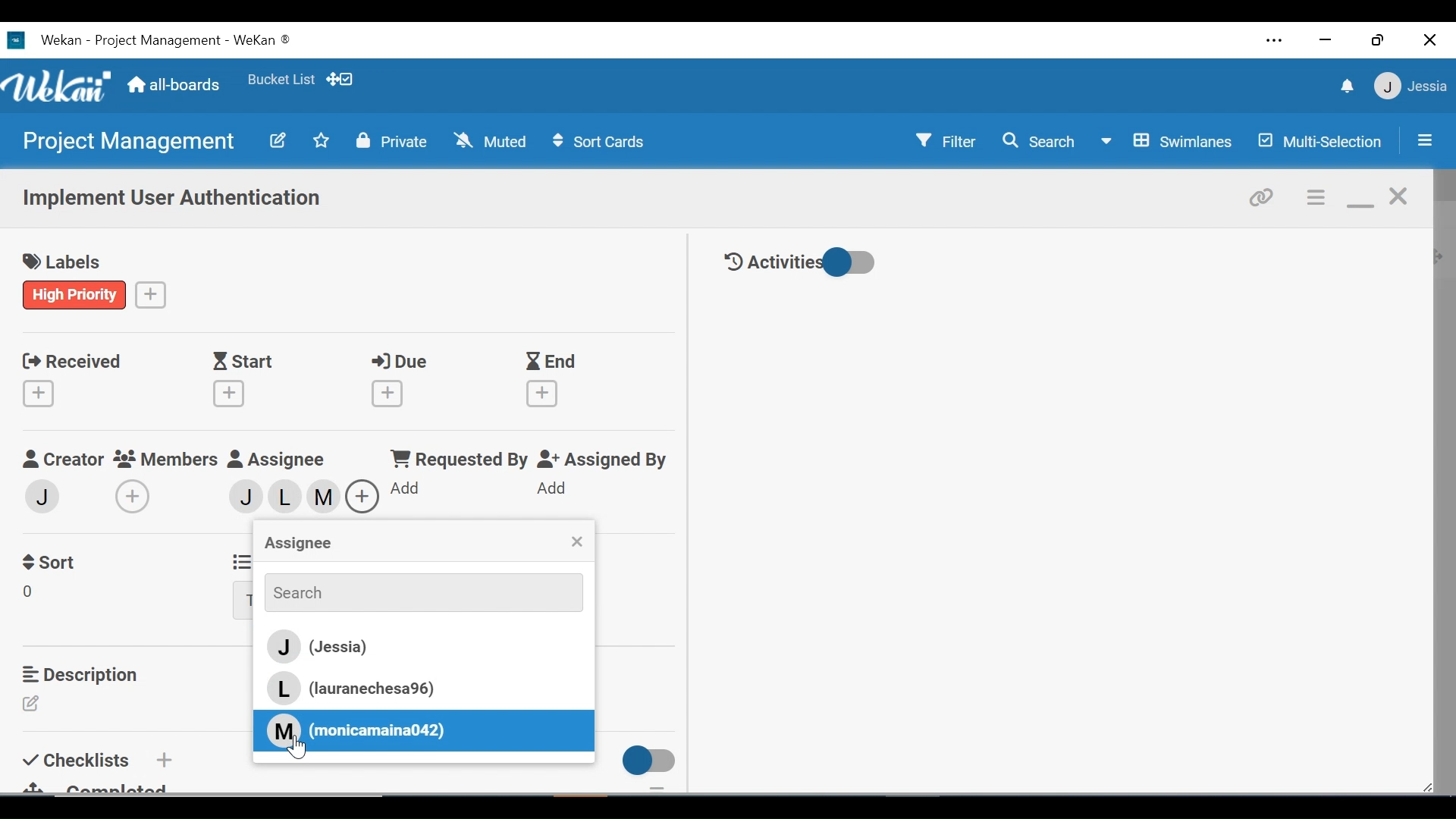  What do you see at coordinates (290, 500) in the screenshot?
I see `lauranechesa96` at bounding box center [290, 500].